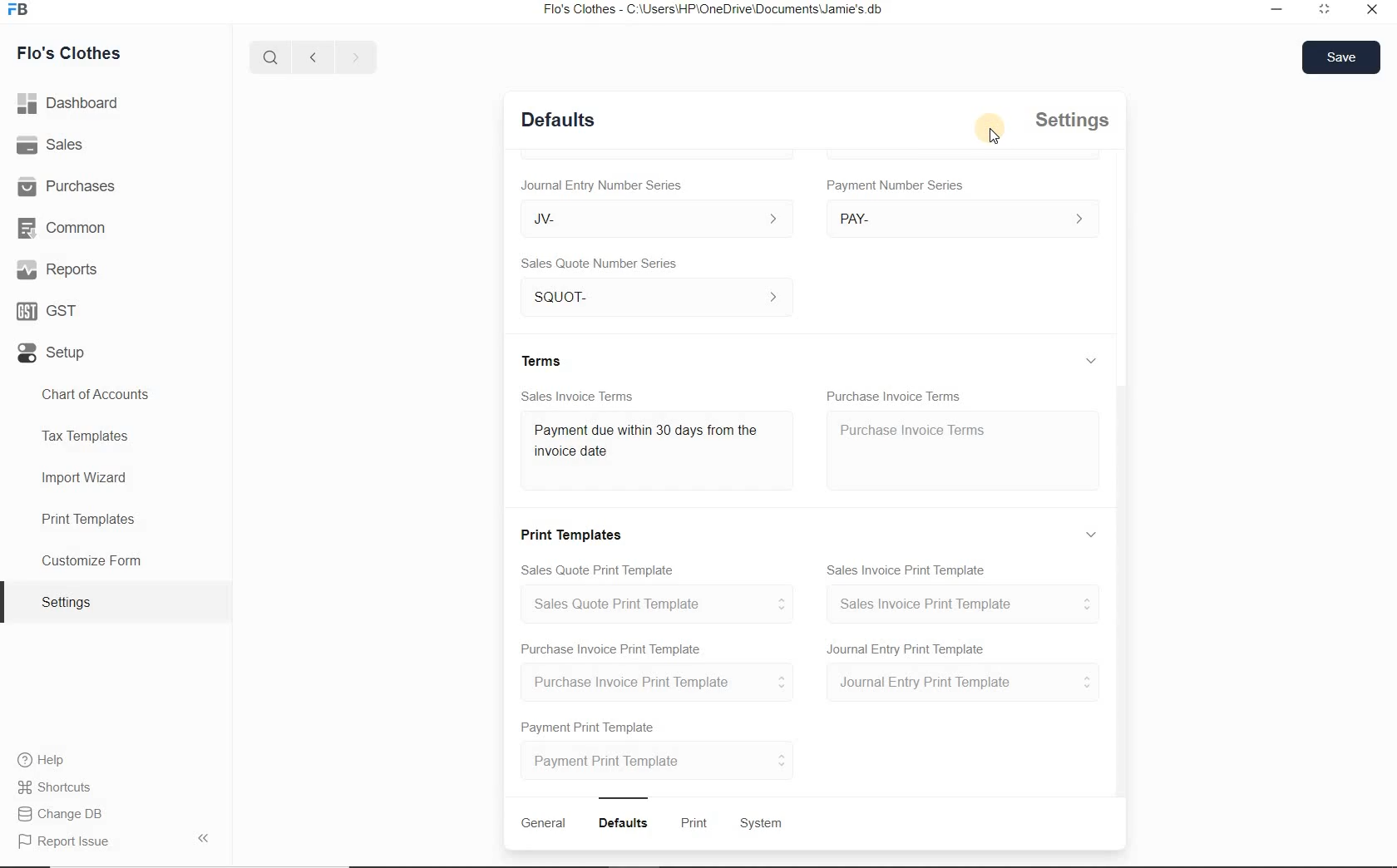 Image resolution: width=1397 pixels, height=868 pixels. Describe the element at coordinates (991, 128) in the screenshot. I see `Cursor` at that location.